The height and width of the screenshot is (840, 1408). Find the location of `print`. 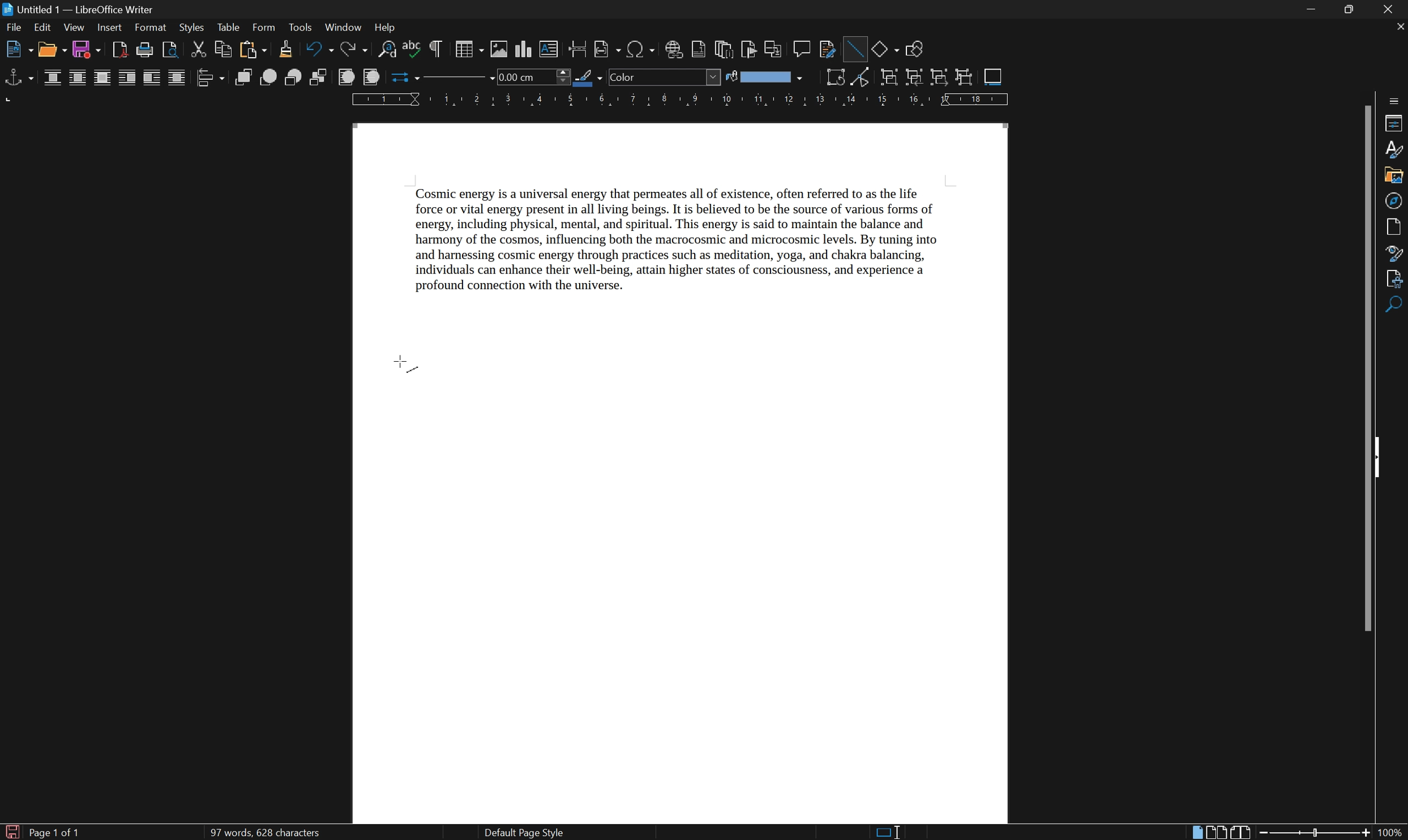

print is located at coordinates (144, 50).